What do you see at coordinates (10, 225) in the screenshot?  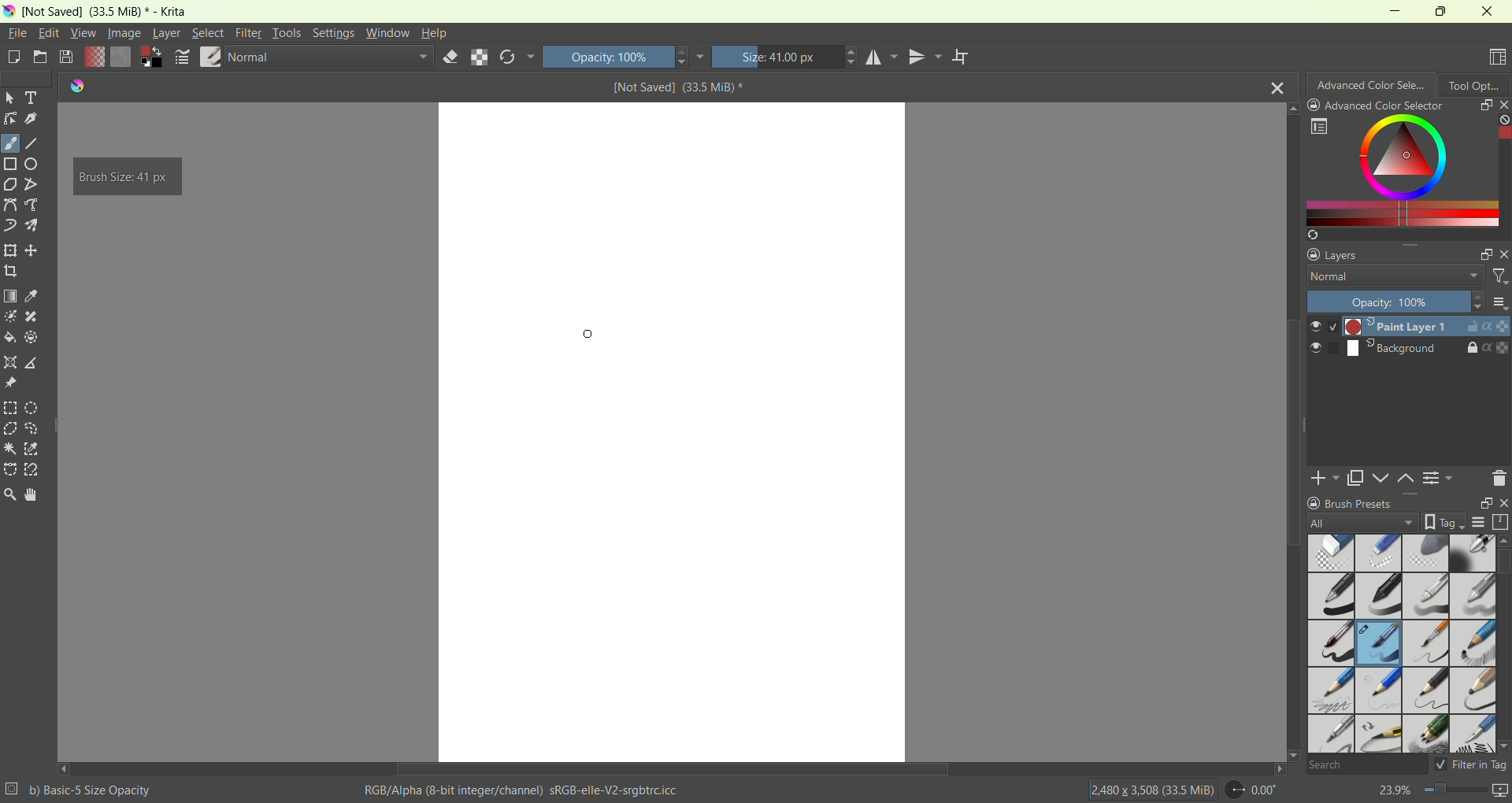 I see `dynamic brush` at bounding box center [10, 225].